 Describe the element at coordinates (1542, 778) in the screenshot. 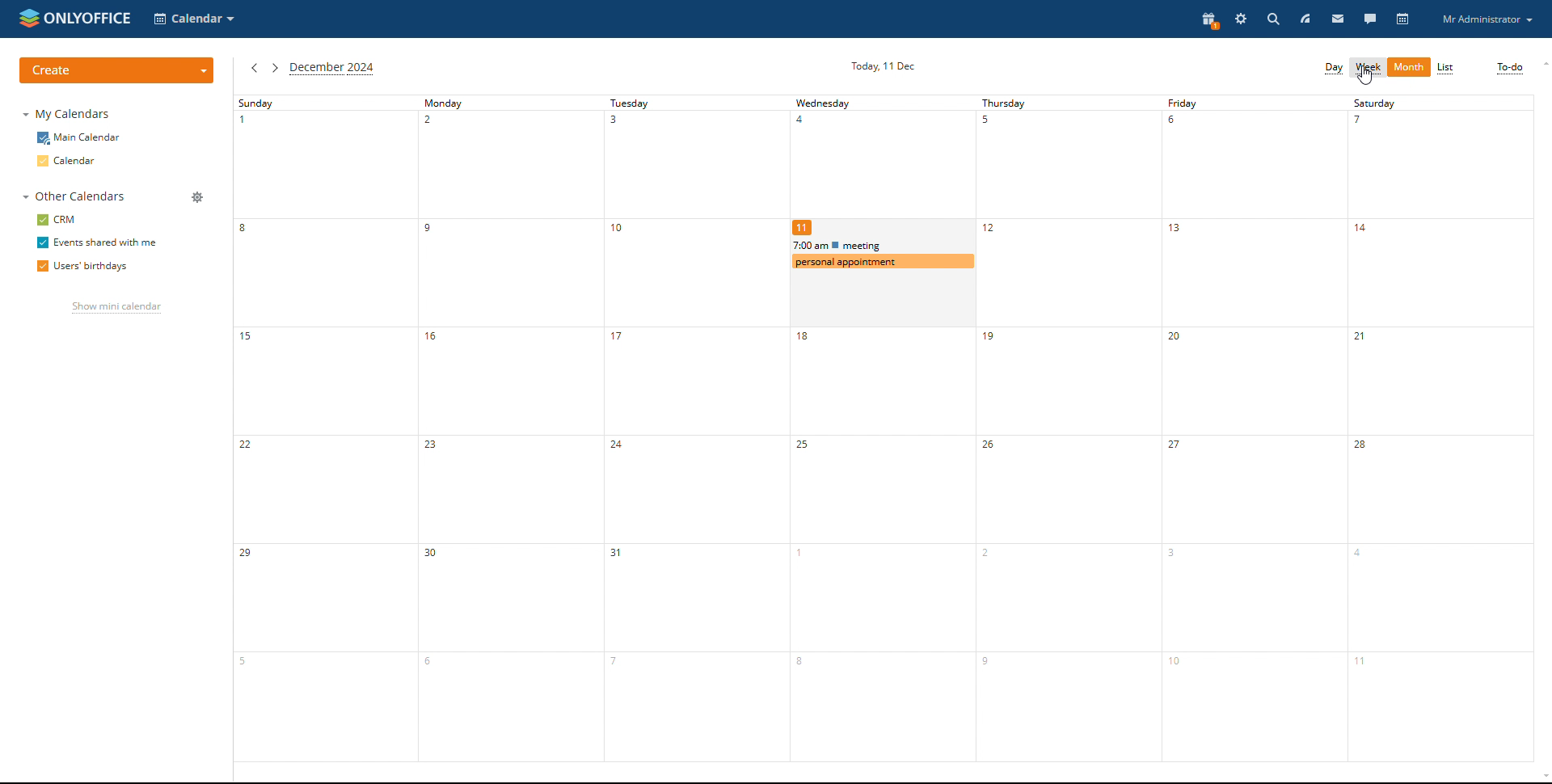

I see `scroll down` at that location.